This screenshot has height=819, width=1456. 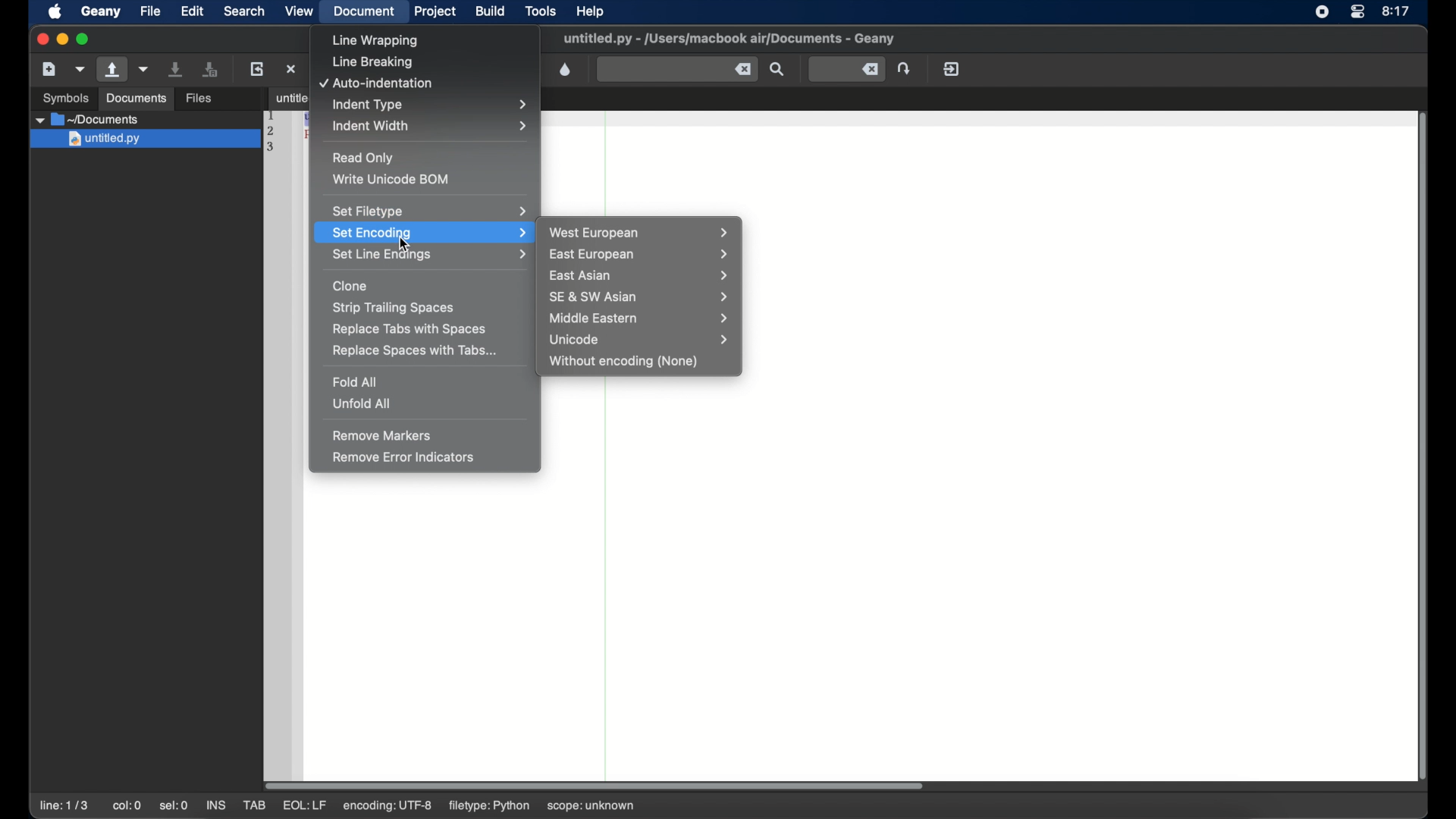 I want to click on strip trailing spaces, so click(x=394, y=309).